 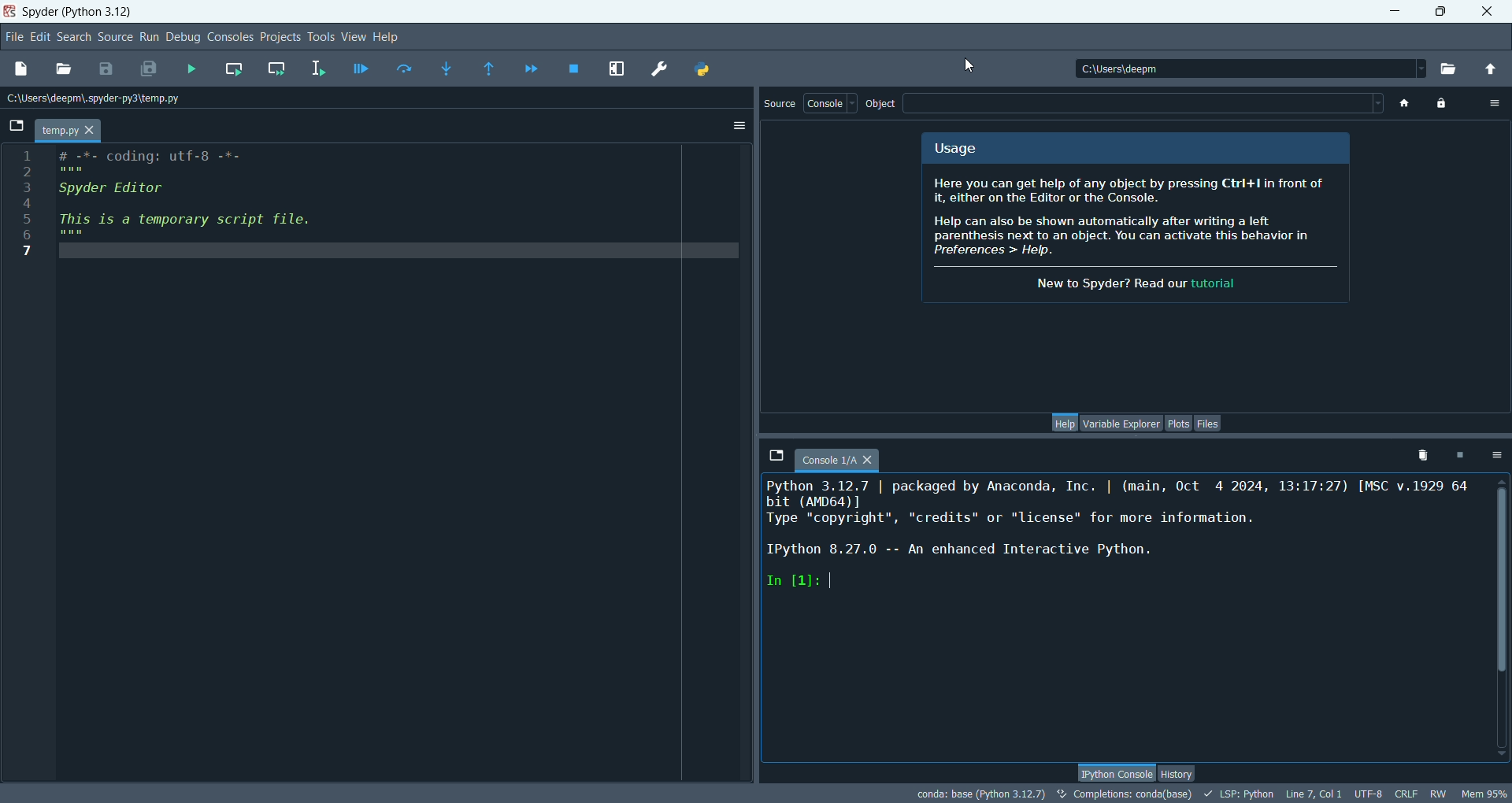 What do you see at coordinates (361, 67) in the screenshot?
I see `debug files` at bounding box center [361, 67].